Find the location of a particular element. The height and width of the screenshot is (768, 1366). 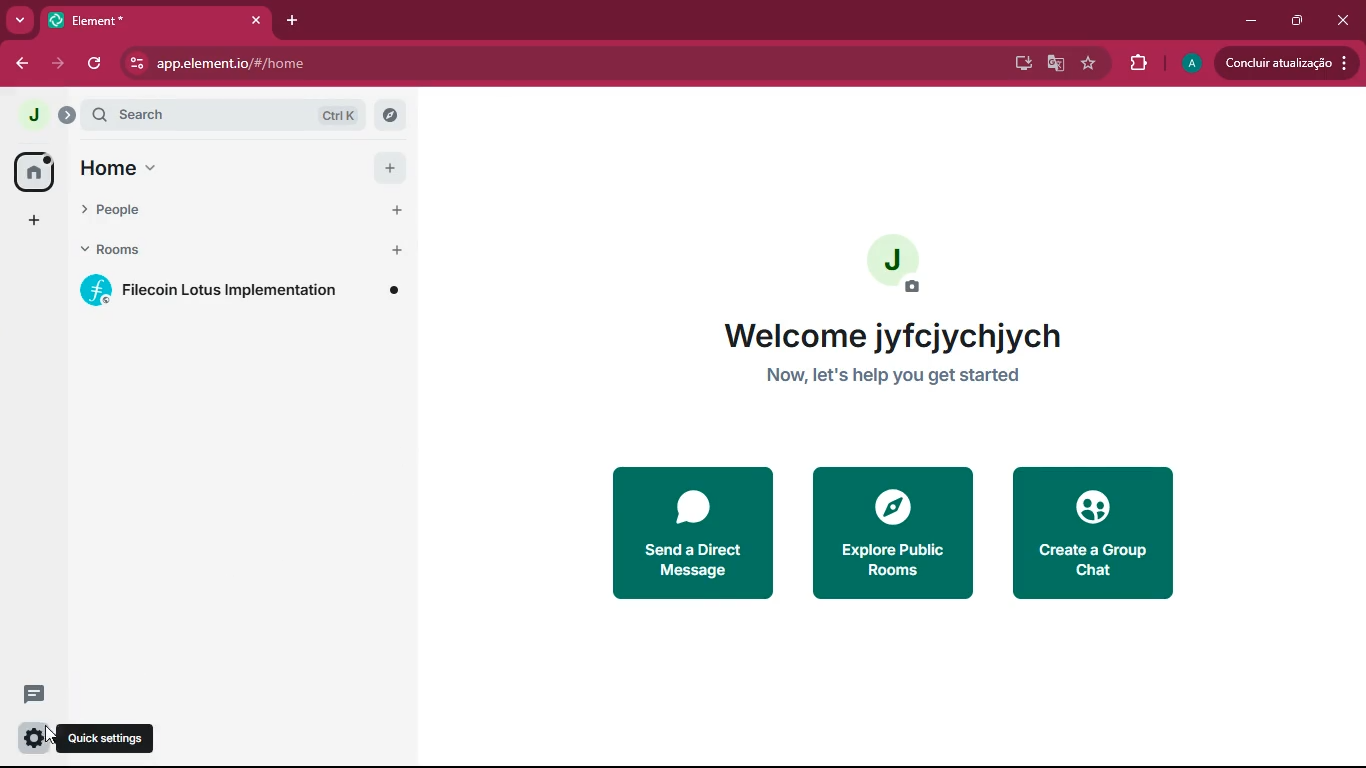

welcome jyfcjychjych is located at coordinates (900, 336).